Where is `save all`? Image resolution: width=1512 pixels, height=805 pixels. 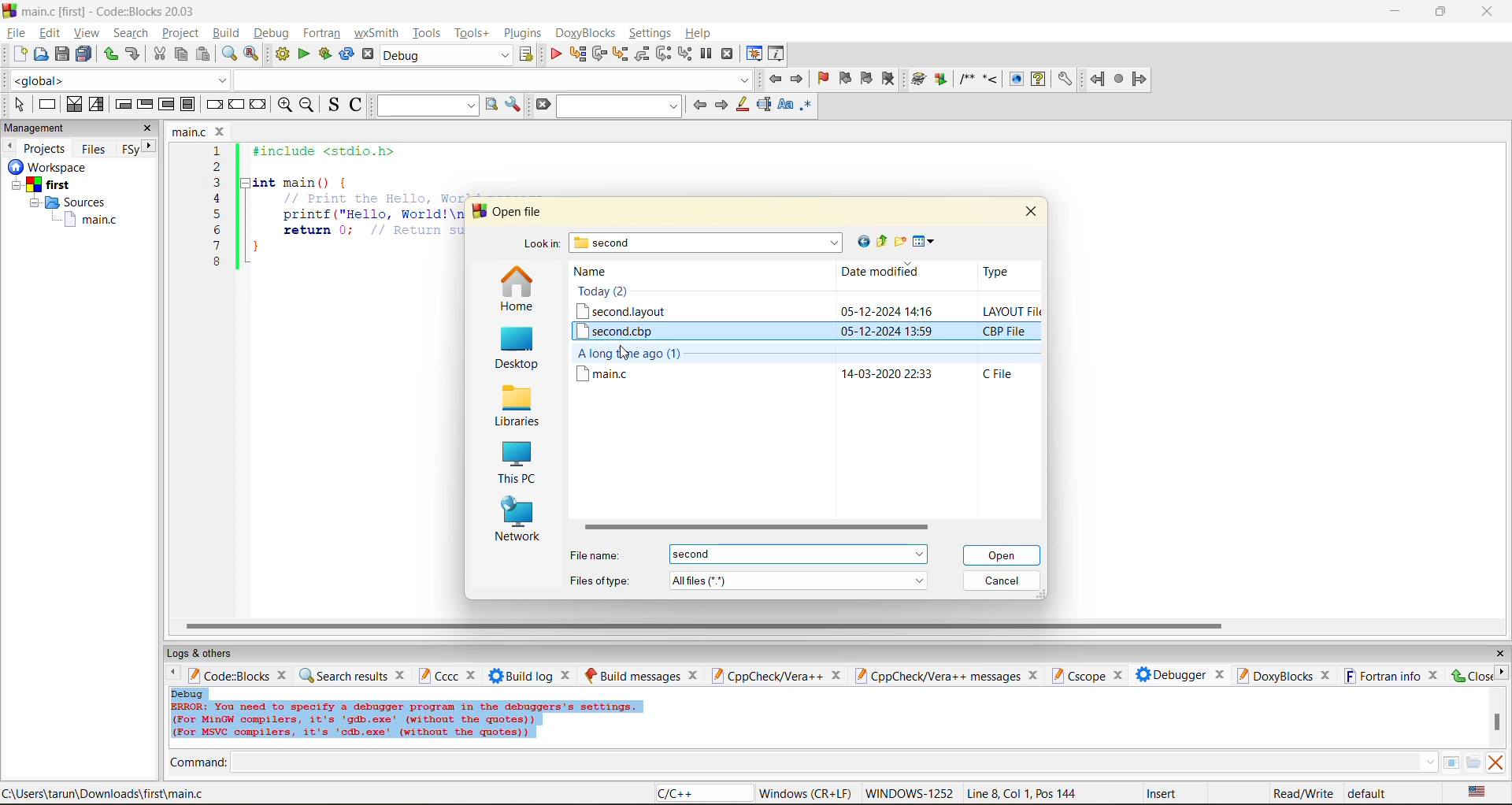
save all is located at coordinates (84, 54).